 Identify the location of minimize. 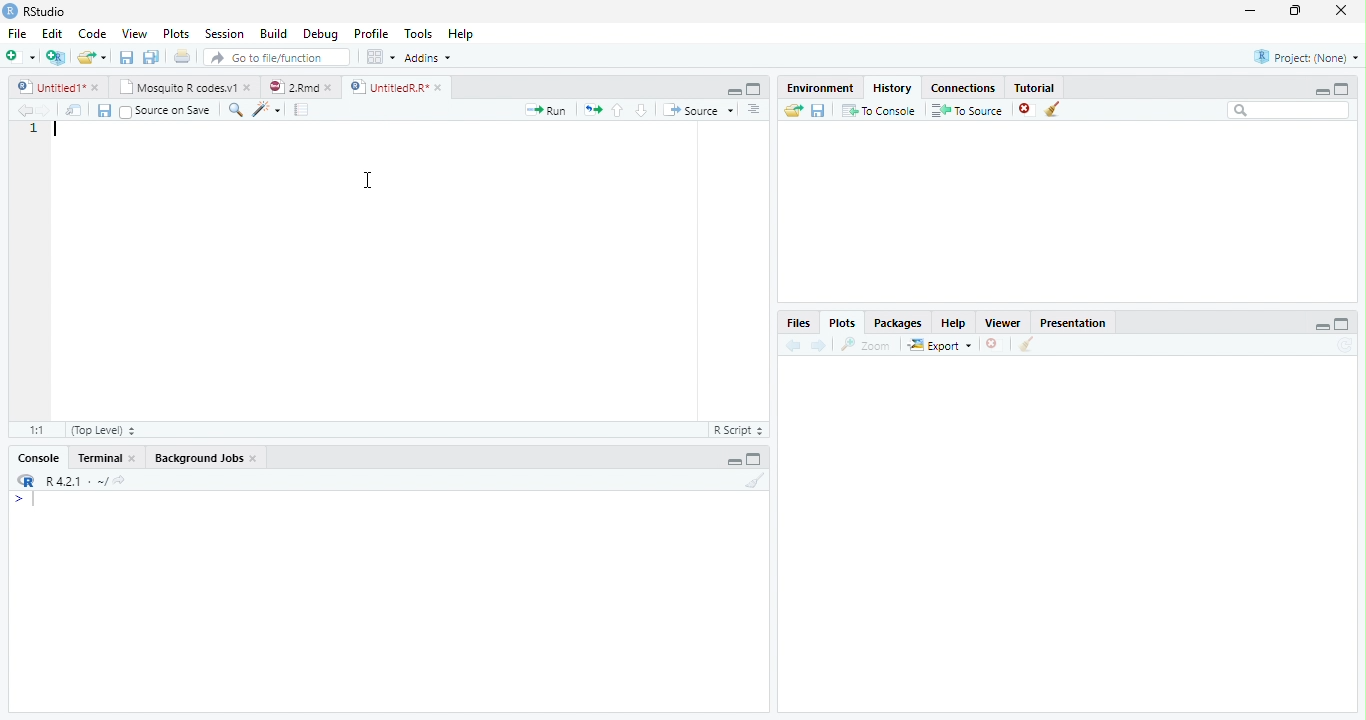
(735, 92).